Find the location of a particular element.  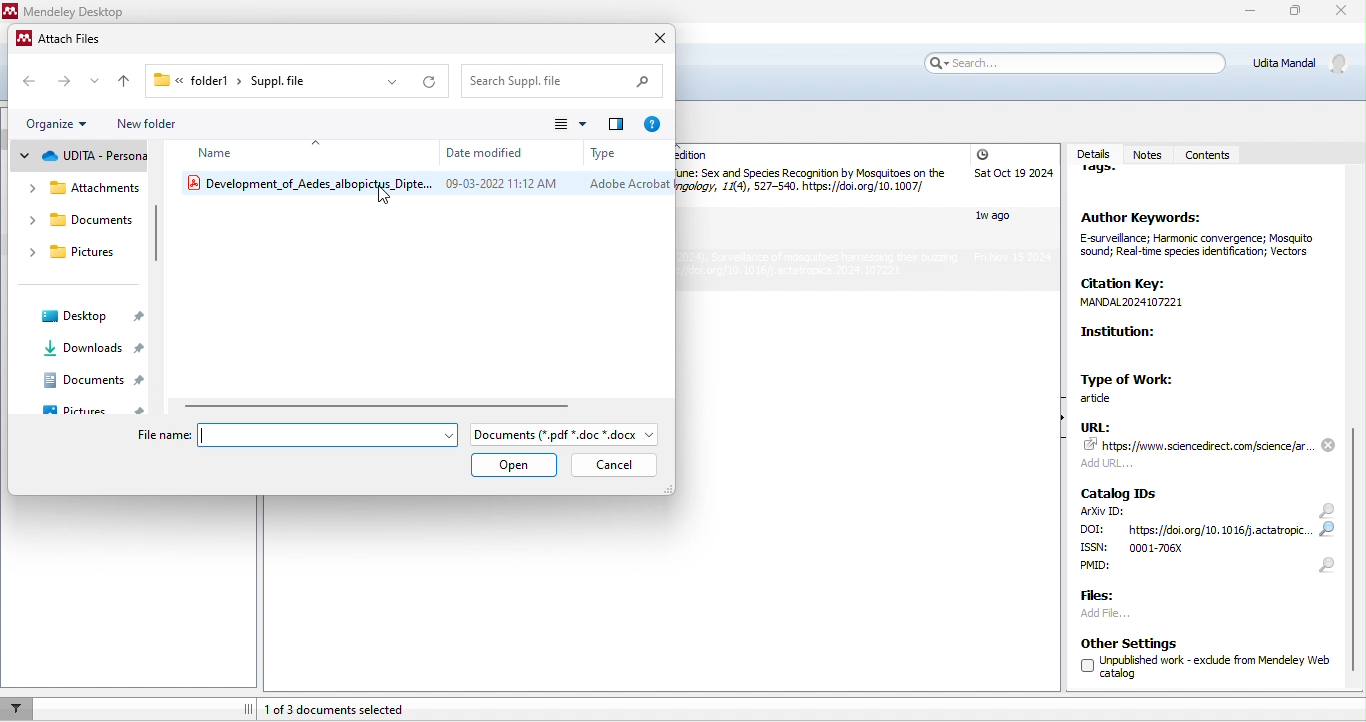

notes is located at coordinates (1147, 147).